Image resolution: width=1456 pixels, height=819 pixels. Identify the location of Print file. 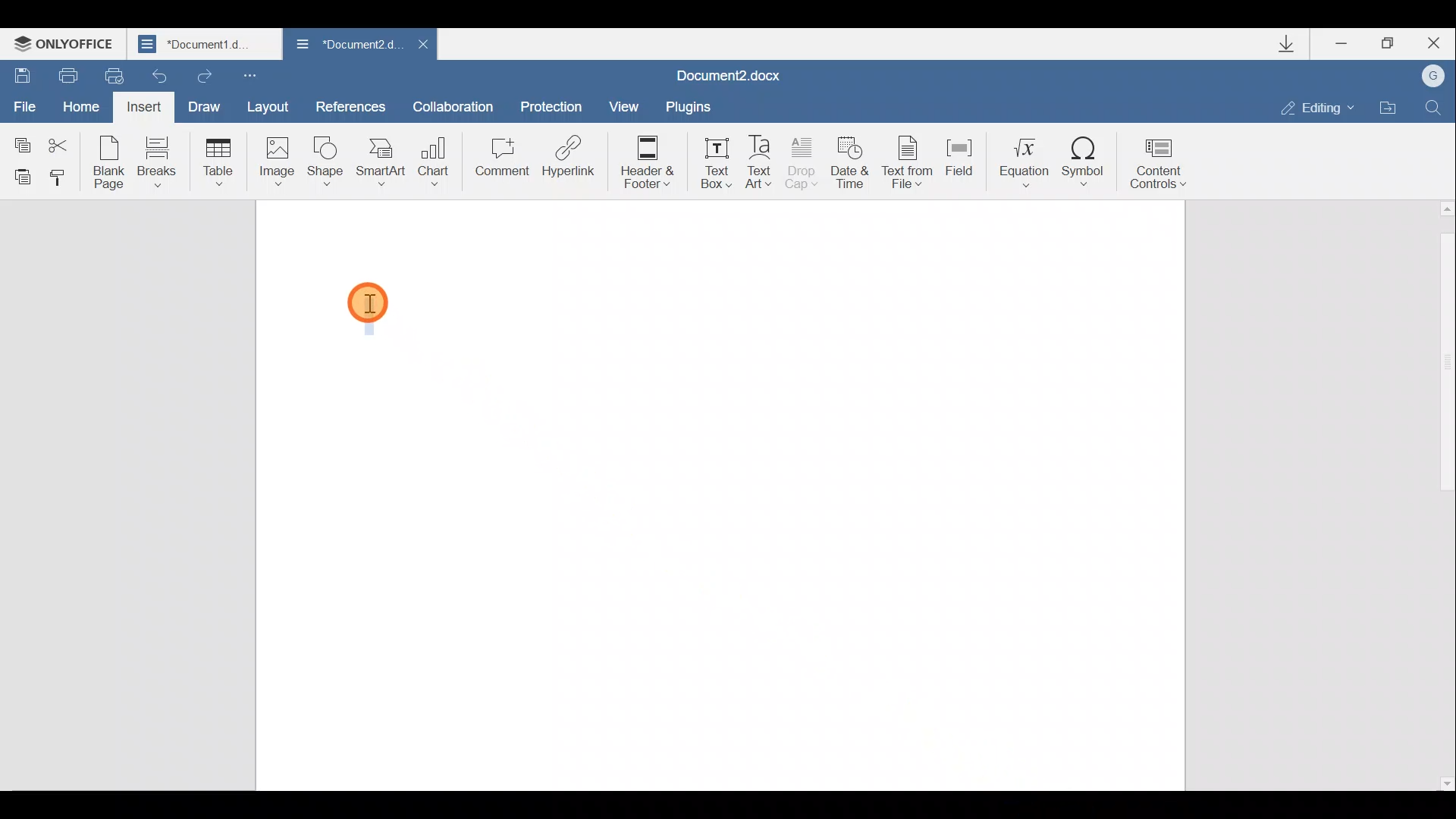
(67, 73).